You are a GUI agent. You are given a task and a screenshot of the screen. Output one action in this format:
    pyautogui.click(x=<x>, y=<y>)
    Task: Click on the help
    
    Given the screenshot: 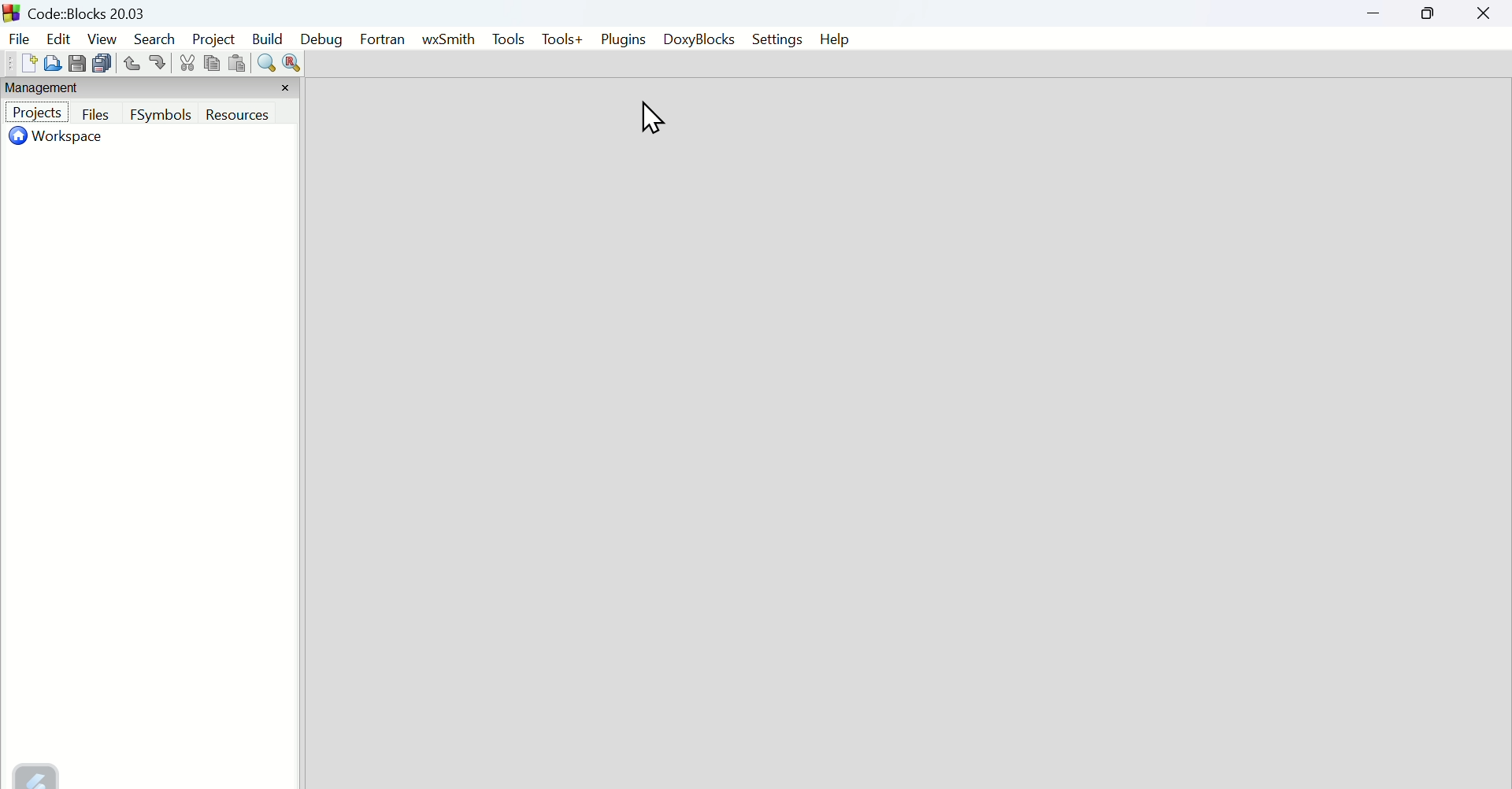 What is the action you would take?
    pyautogui.click(x=835, y=39)
    